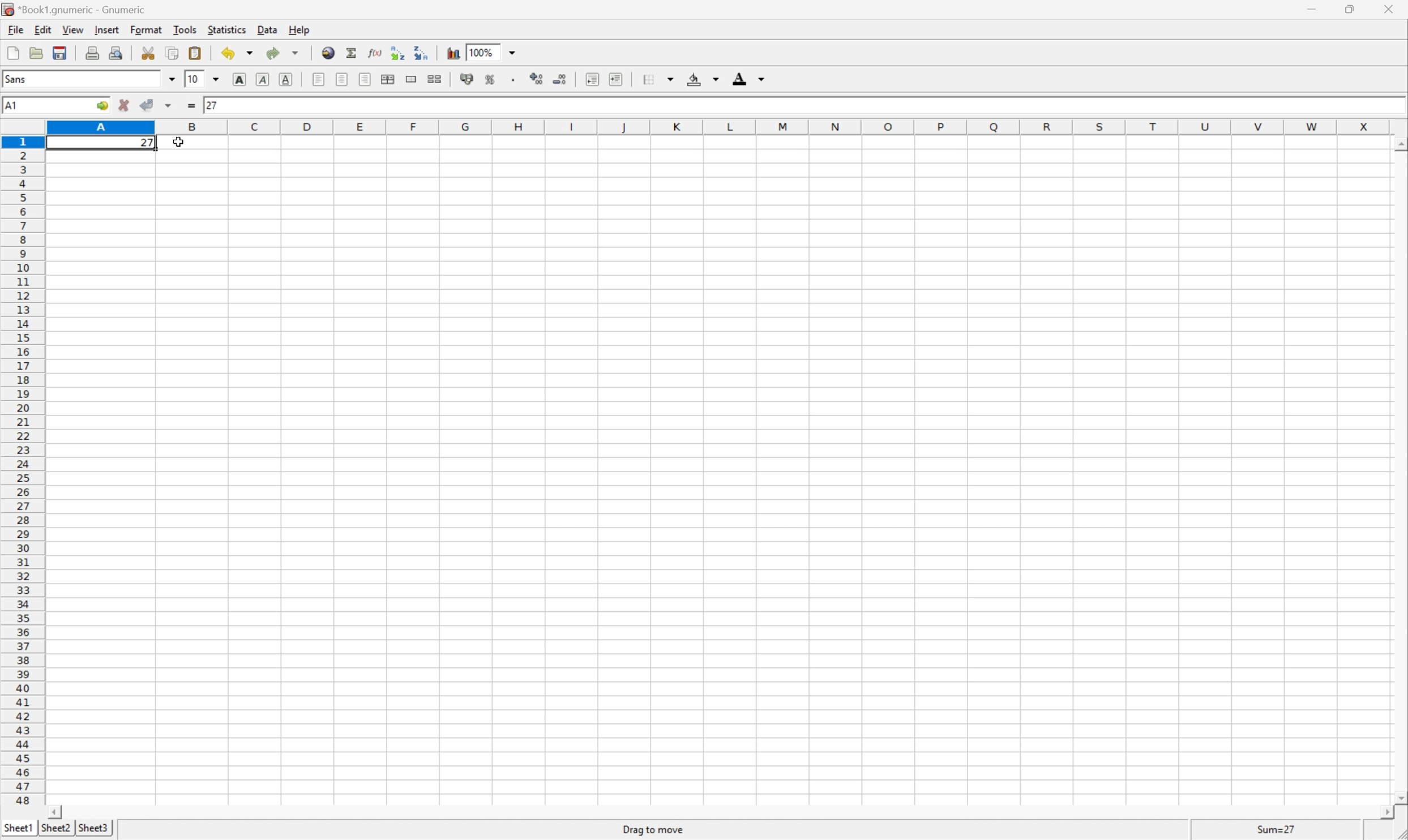 This screenshot has width=1408, height=840. Describe the element at coordinates (262, 80) in the screenshot. I see `Italic` at that location.